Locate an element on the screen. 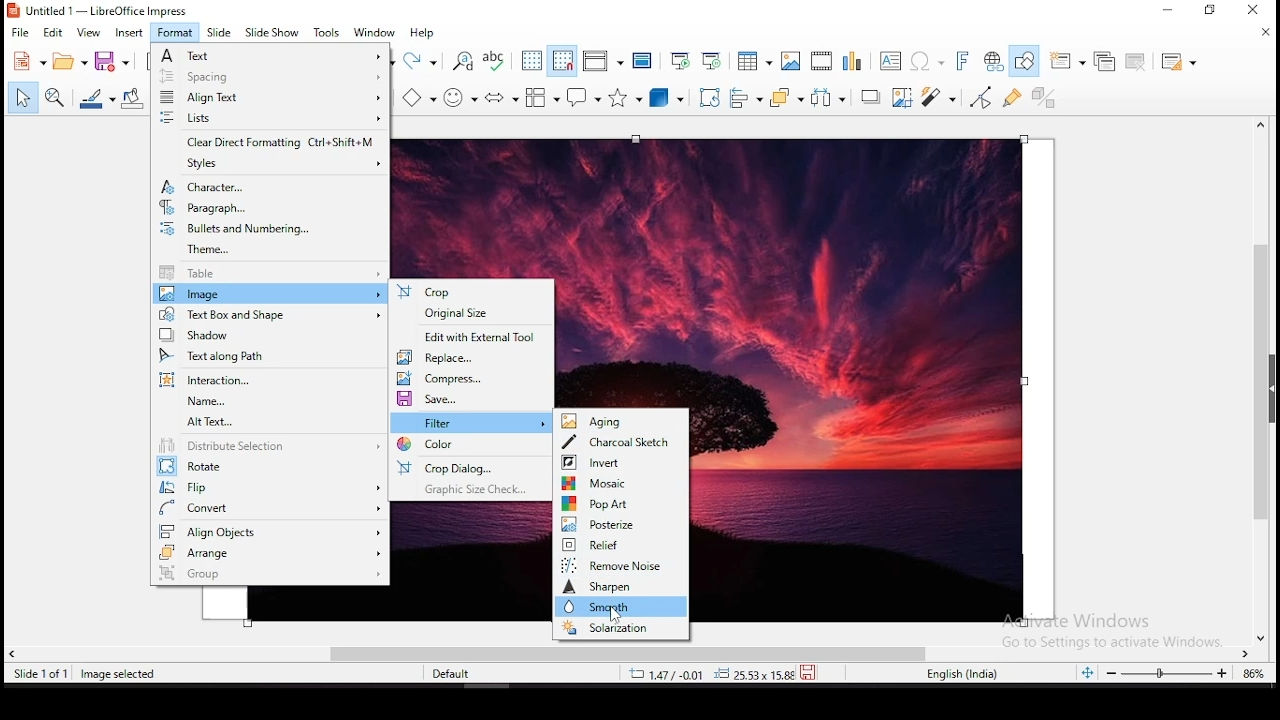 The height and width of the screenshot is (720, 1280). insert chart is located at coordinates (851, 62).